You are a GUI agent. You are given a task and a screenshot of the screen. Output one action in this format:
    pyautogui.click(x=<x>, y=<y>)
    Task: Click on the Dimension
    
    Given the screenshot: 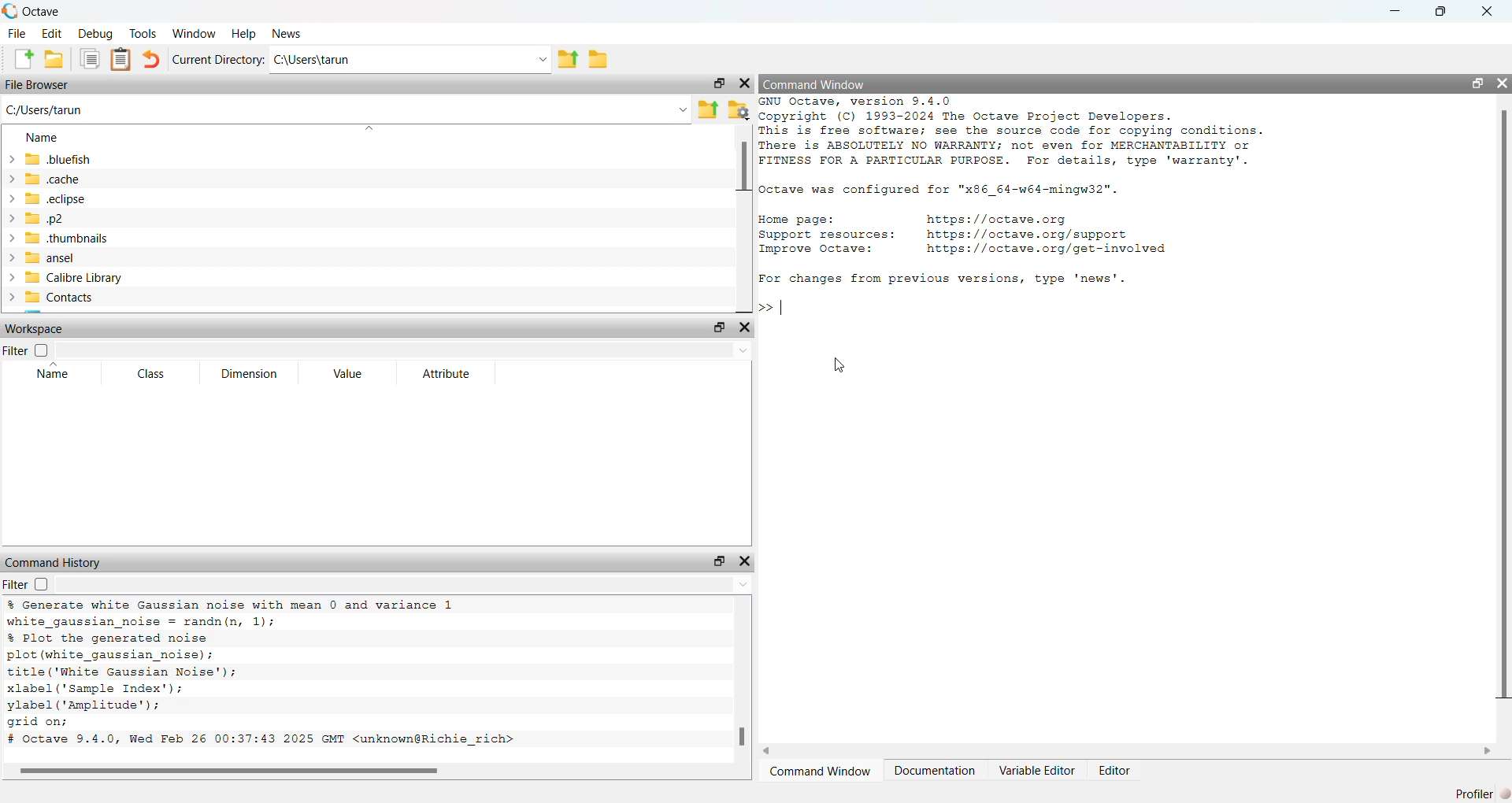 What is the action you would take?
    pyautogui.click(x=252, y=374)
    